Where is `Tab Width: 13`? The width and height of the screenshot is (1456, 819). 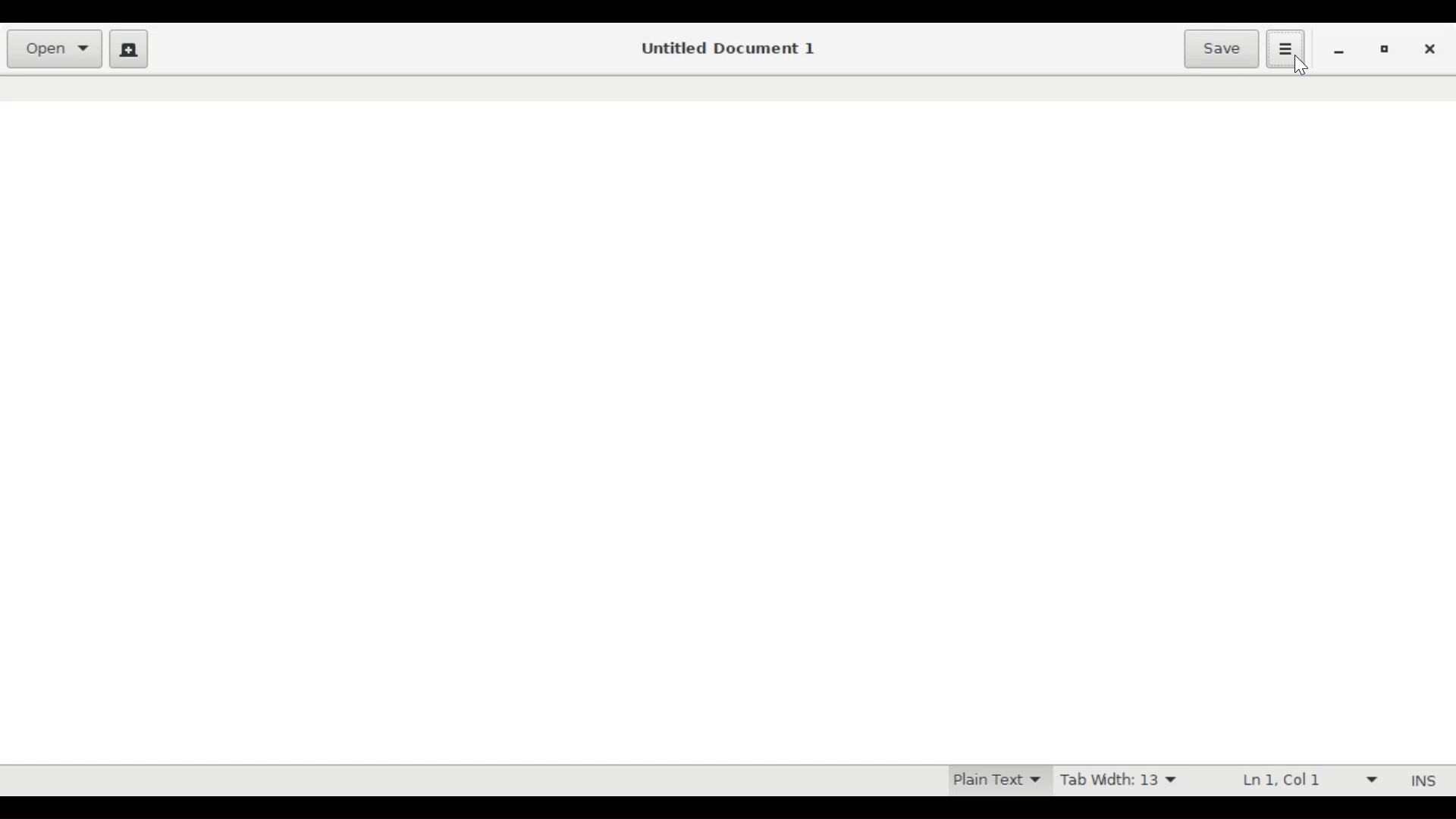 Tab Width: 13 is located at coordinates (1118, 782).